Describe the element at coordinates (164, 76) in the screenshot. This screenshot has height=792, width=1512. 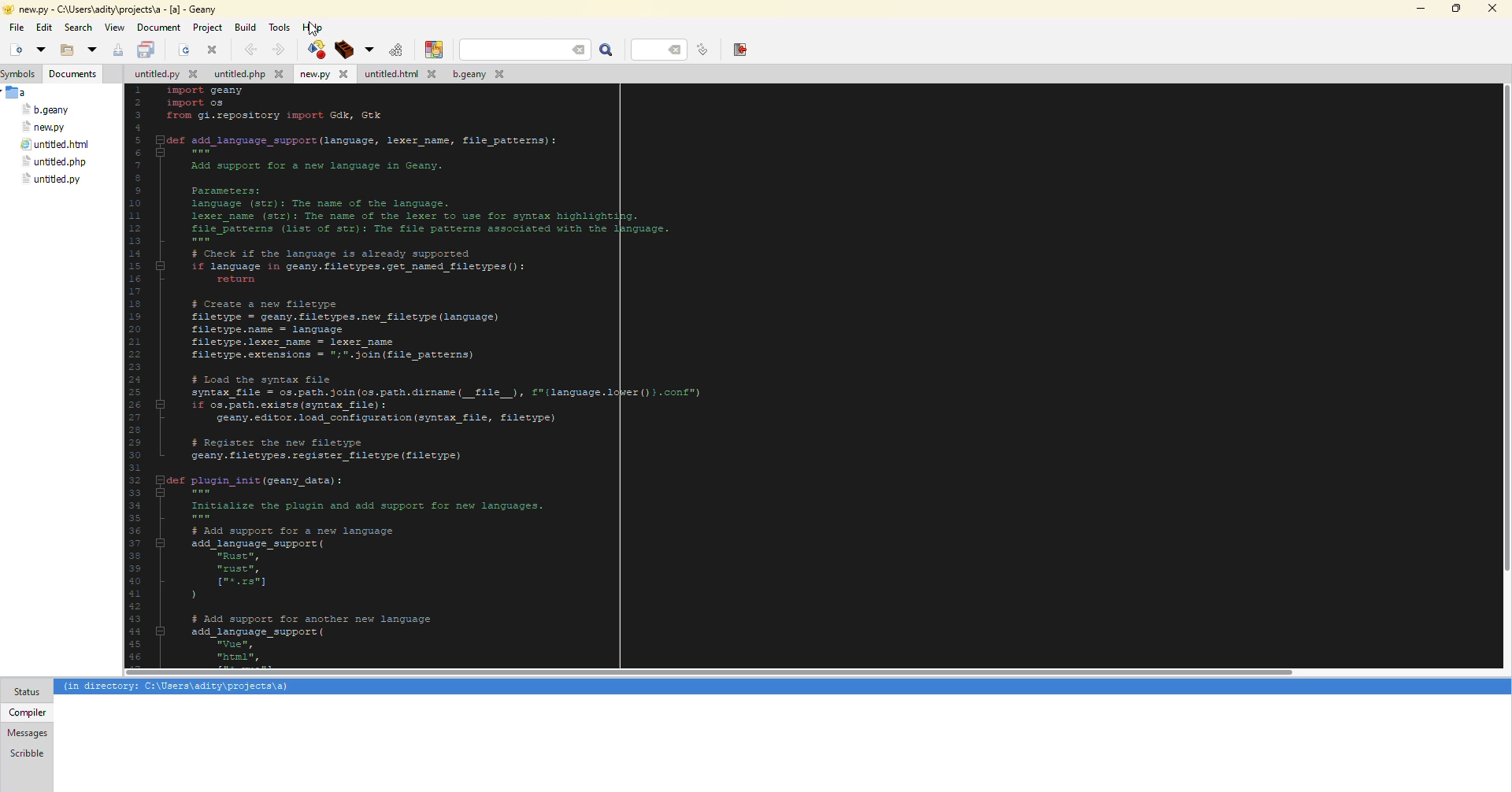
I see `file` at that location.